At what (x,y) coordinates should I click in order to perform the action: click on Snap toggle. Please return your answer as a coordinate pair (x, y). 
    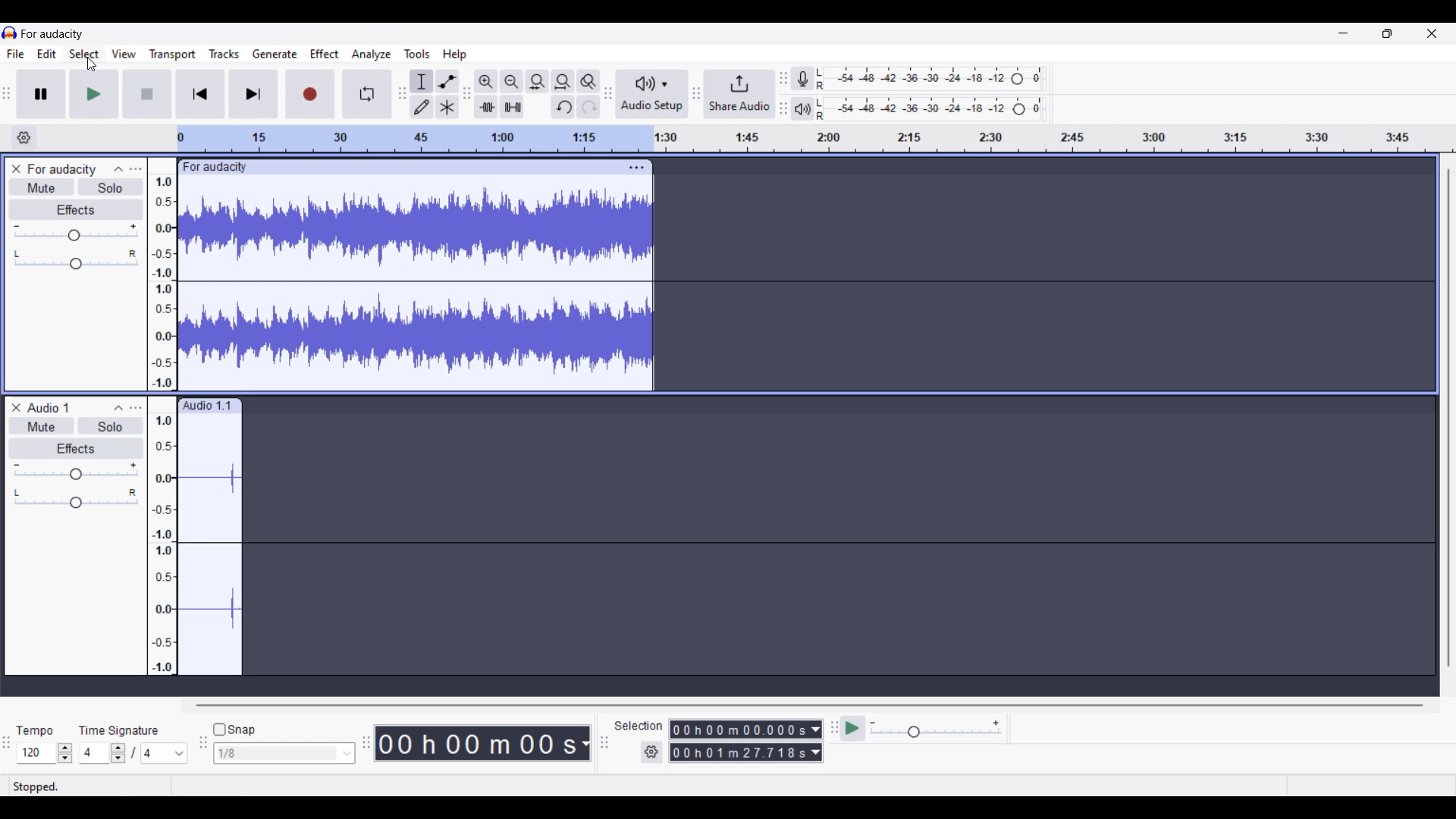
    Looking at the image, I should click on (234, 730).